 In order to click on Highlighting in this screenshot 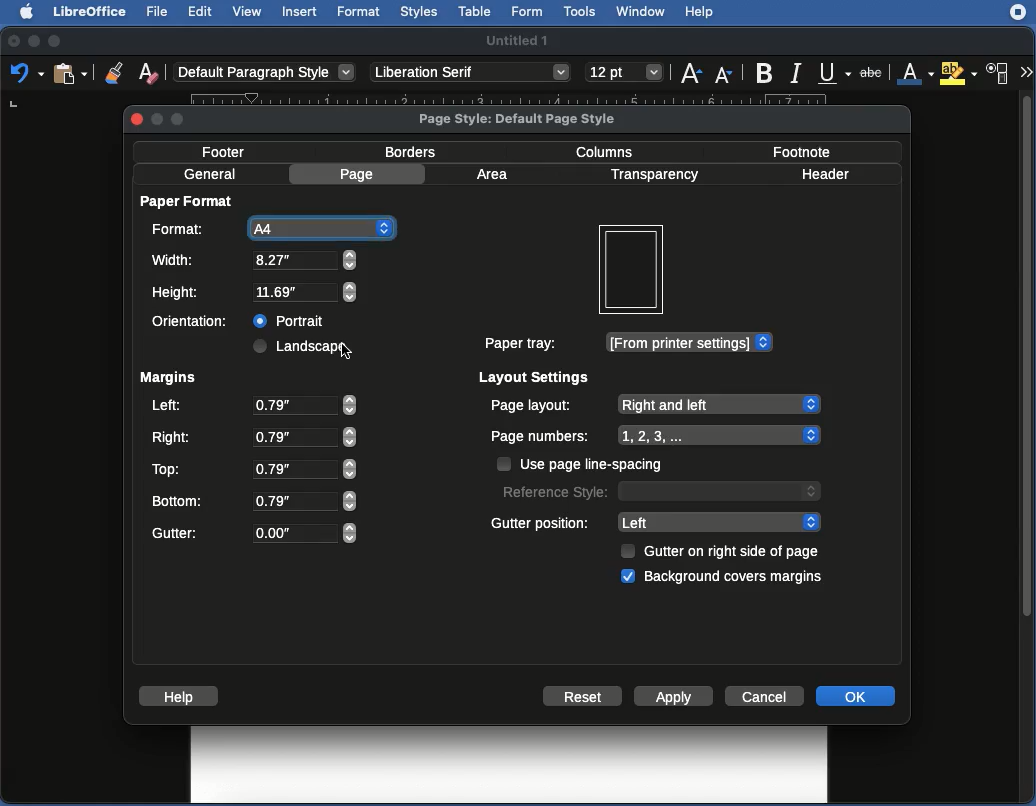, I will do `click(957, 73)`.